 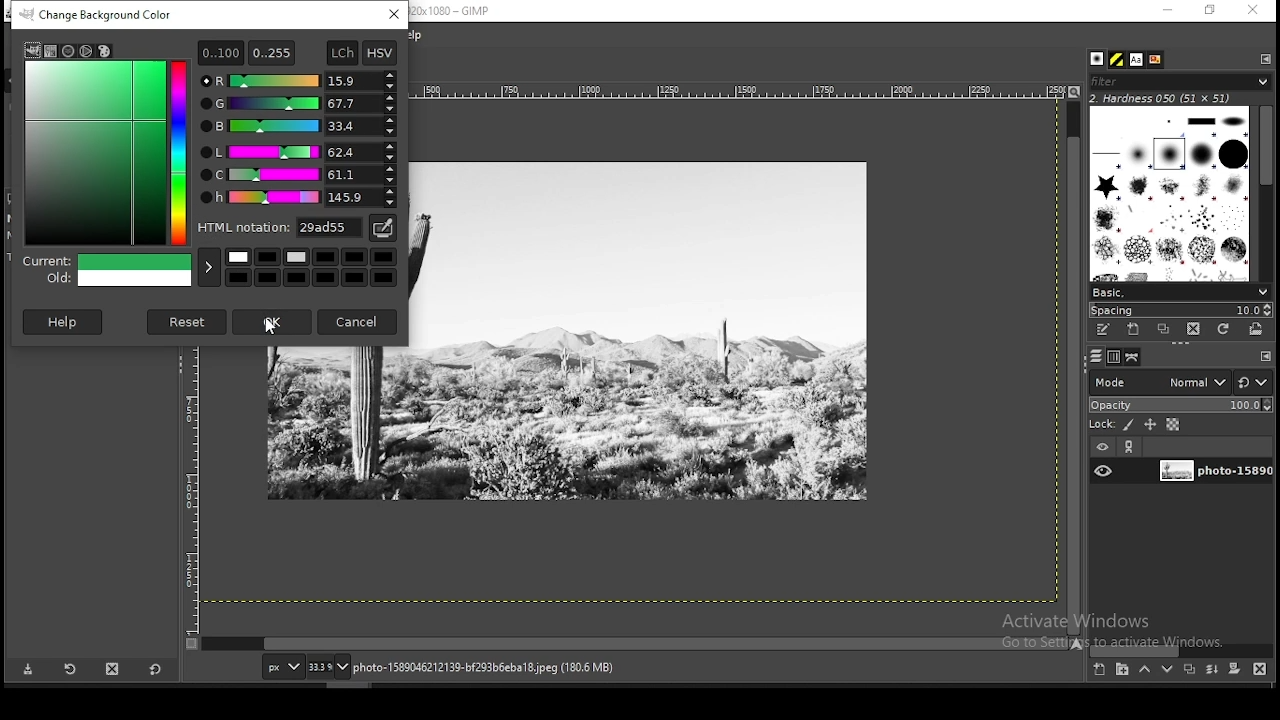 What do you see at coordinates (1138, 59) in the screenshot?
I see `fonts` at bounding box center [1138, 59].